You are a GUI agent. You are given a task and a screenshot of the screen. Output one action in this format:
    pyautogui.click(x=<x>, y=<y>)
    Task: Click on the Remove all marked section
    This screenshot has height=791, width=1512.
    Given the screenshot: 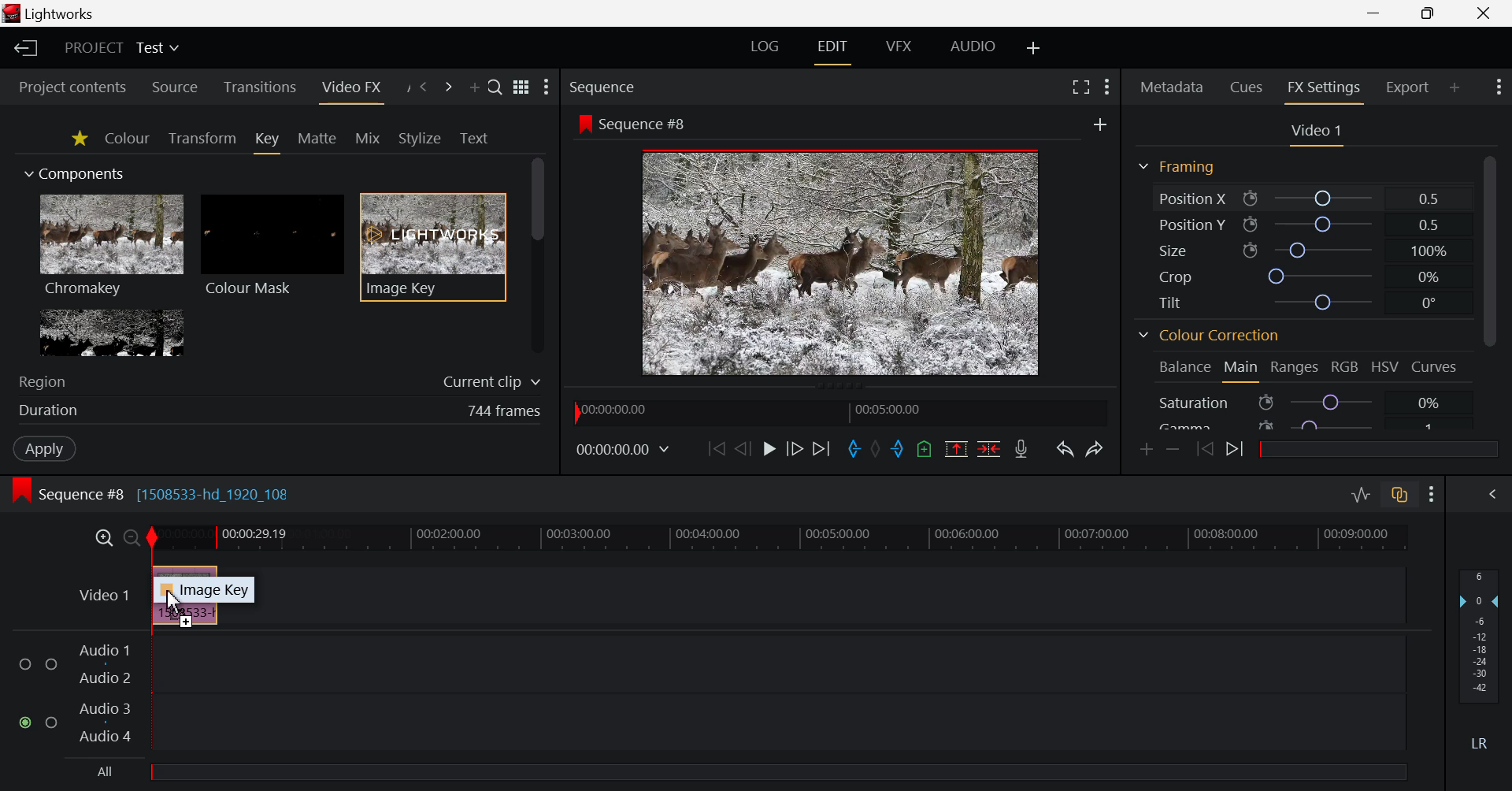 What is the action you would take?
    pyautogui.click(x=956, y=450)
    